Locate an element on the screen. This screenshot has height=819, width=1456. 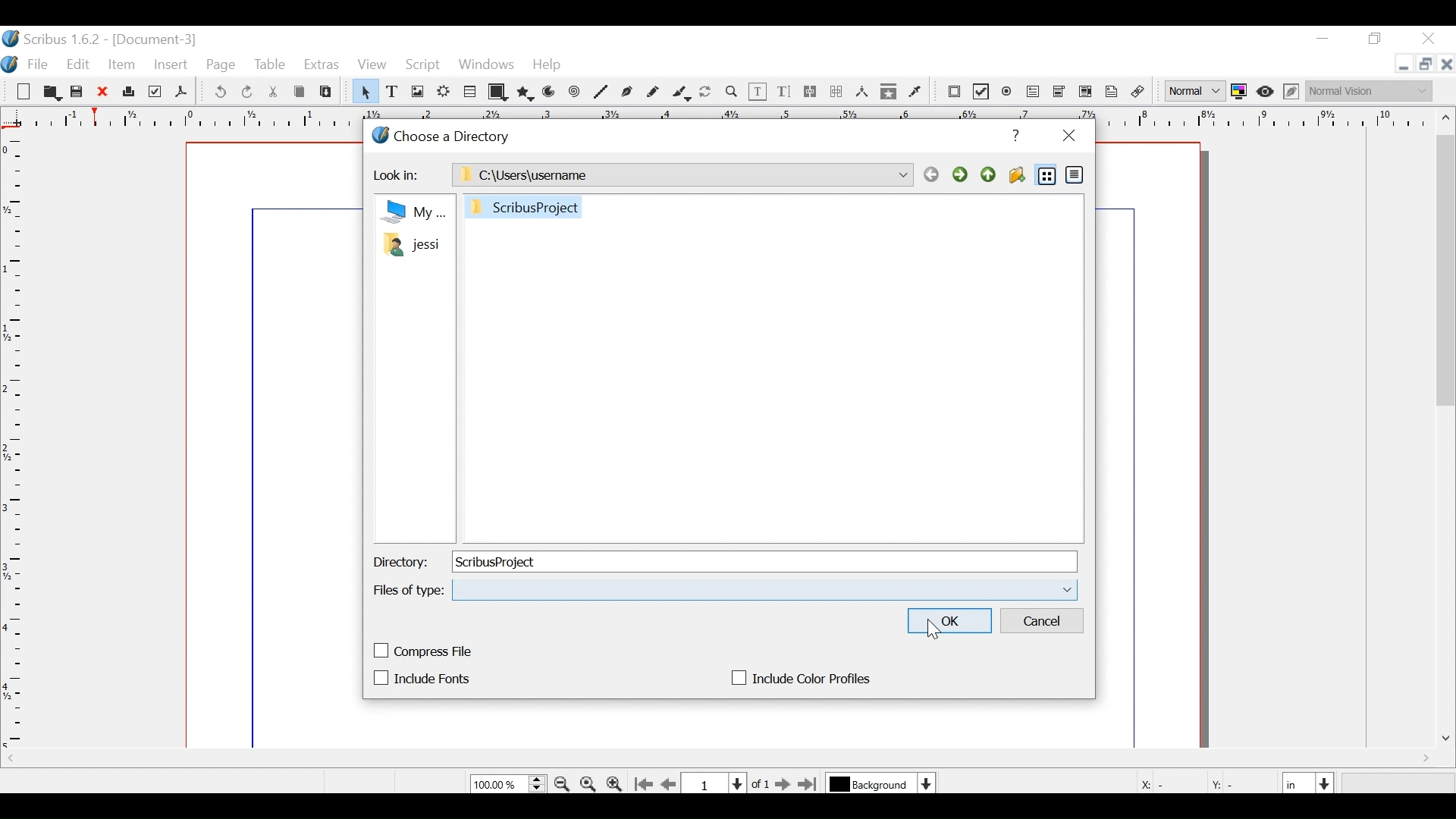
Save is located at coordinates (78, 92).